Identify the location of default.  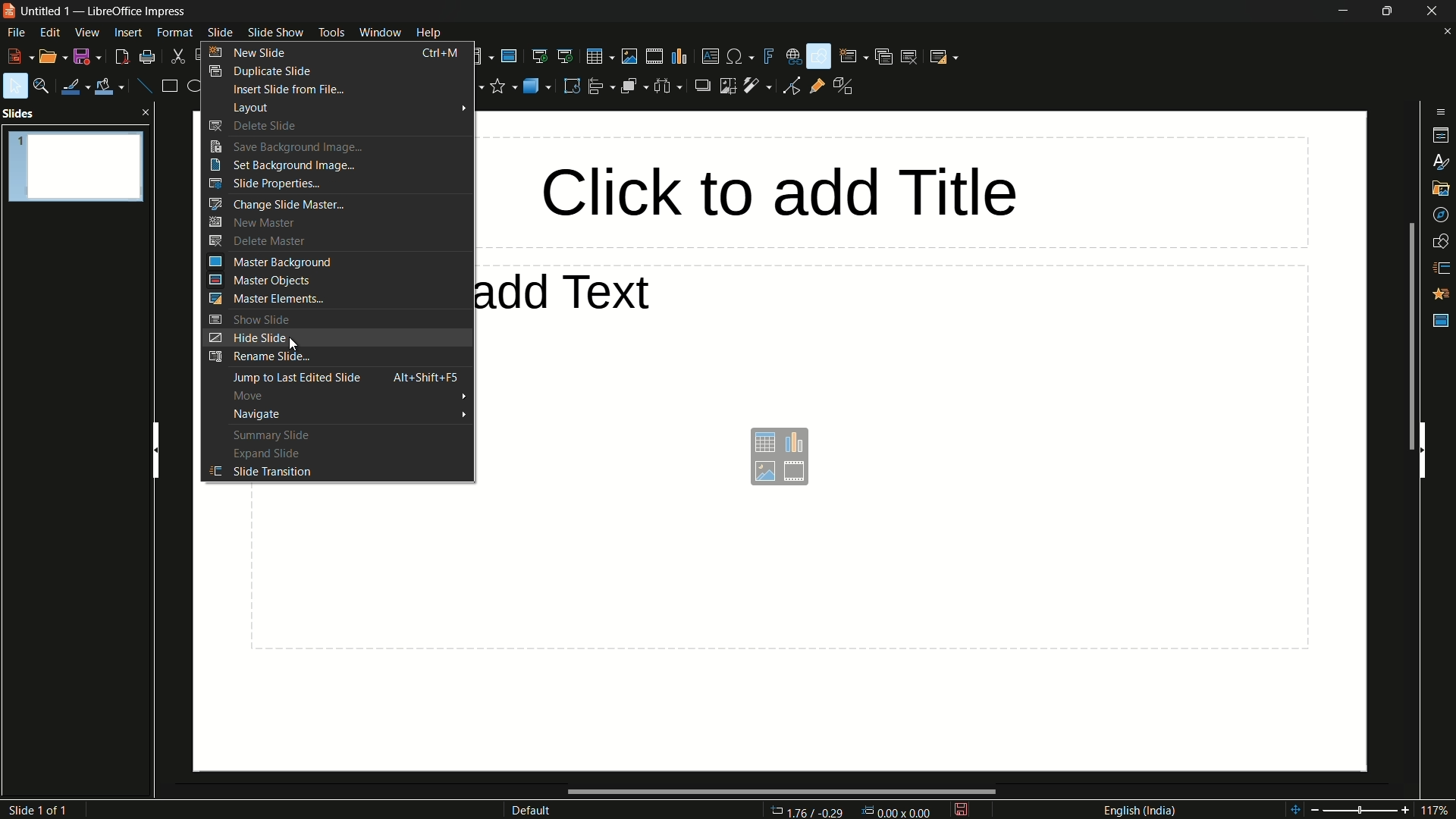
(533, 811).